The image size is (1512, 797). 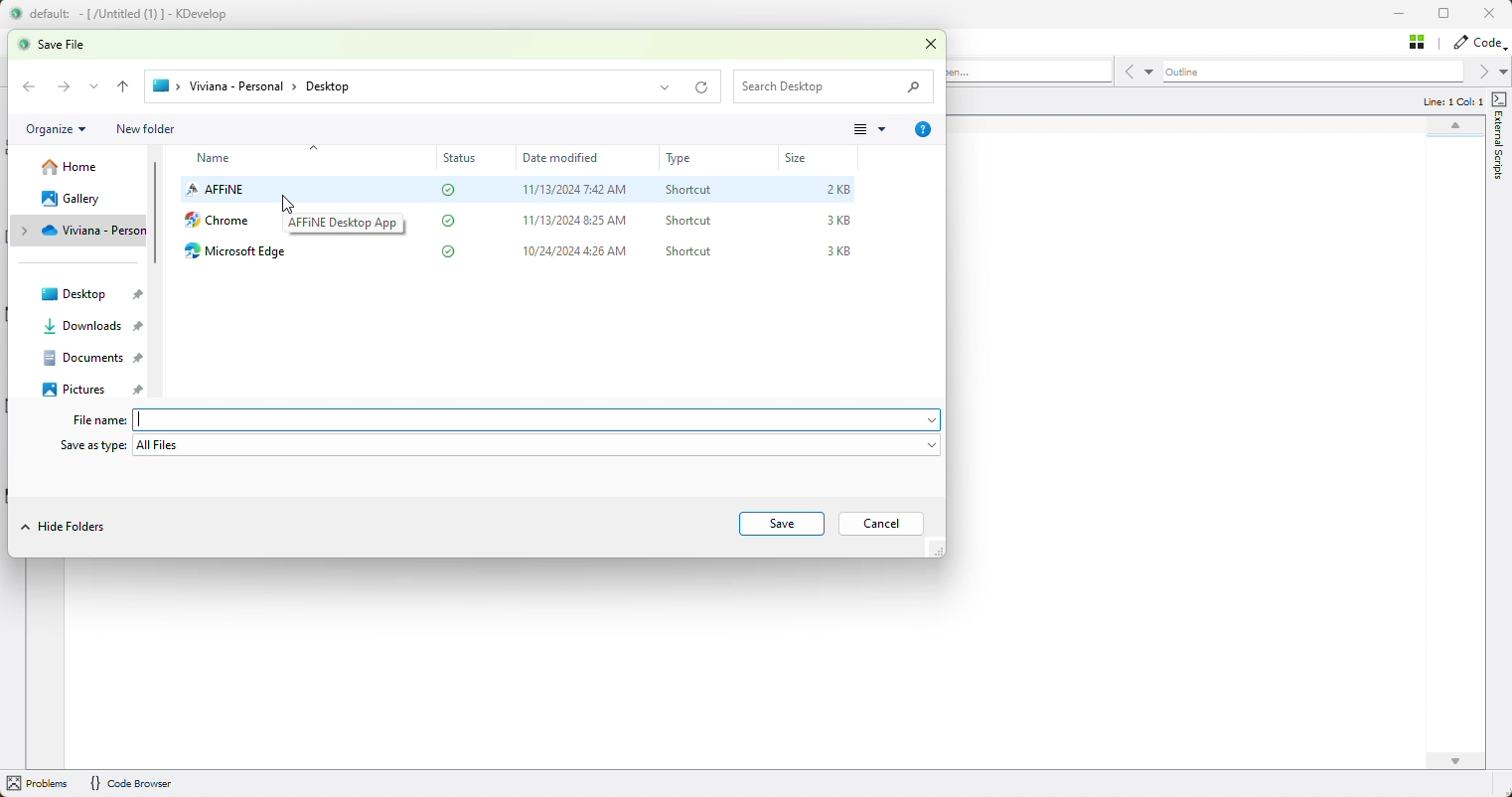 I want to click on ‘Shortcut, so click(x=689, y=221).